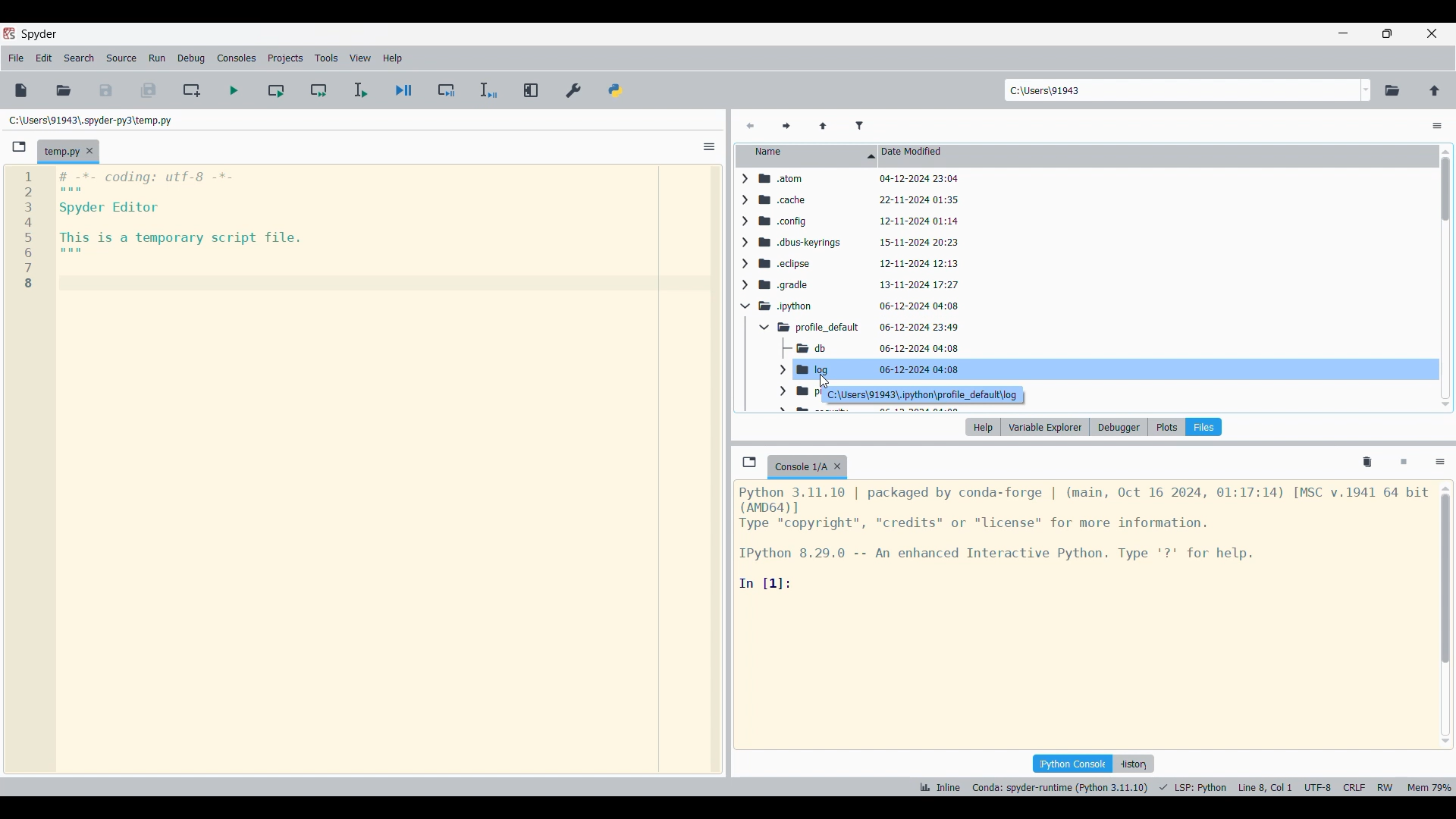  Describe the element at coordinates (234, 90) in the screenshot. I see `Run file` at that location.